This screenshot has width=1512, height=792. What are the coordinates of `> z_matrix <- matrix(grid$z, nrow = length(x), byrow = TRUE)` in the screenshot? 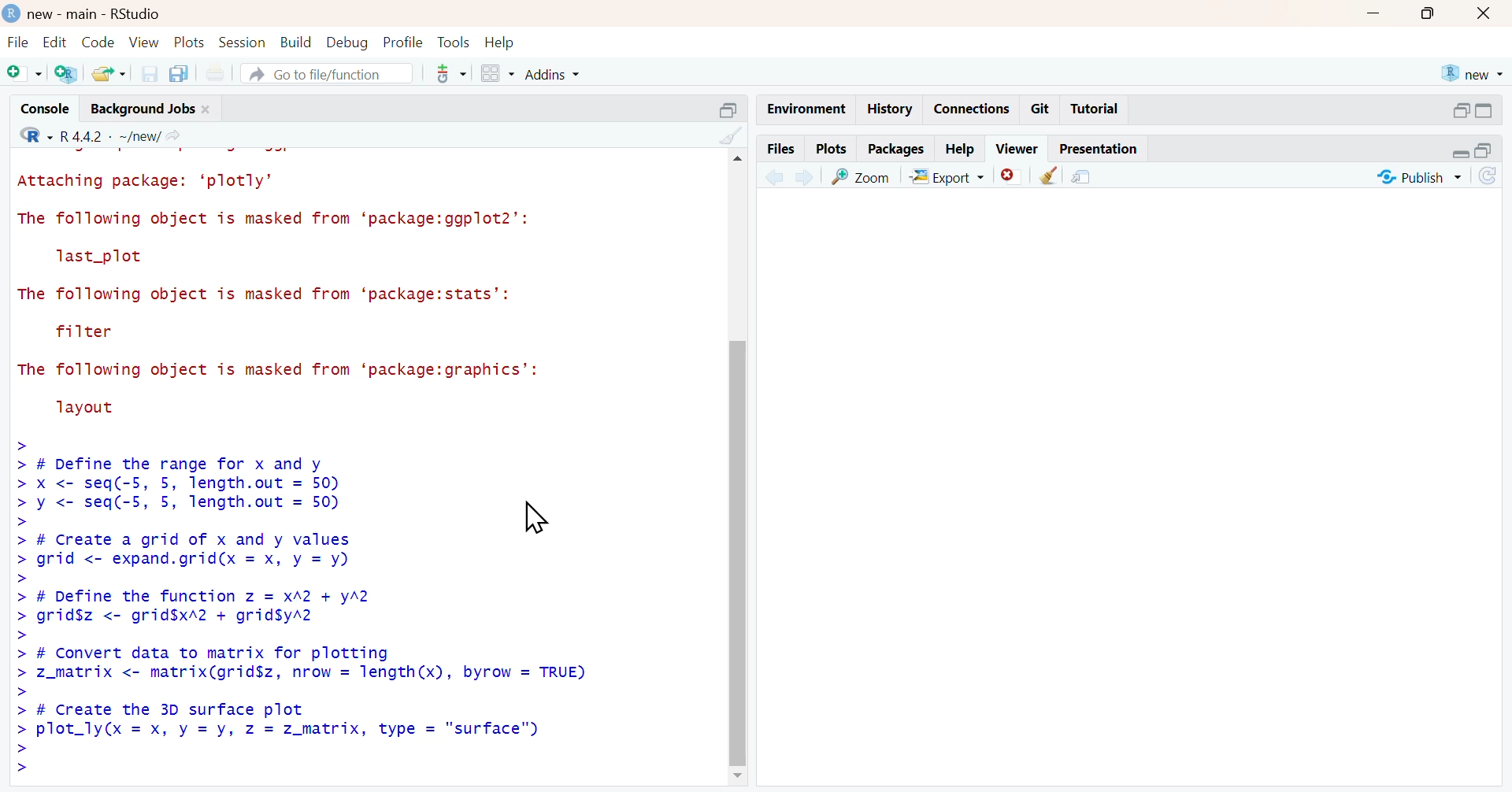 It's located at (302, 675).